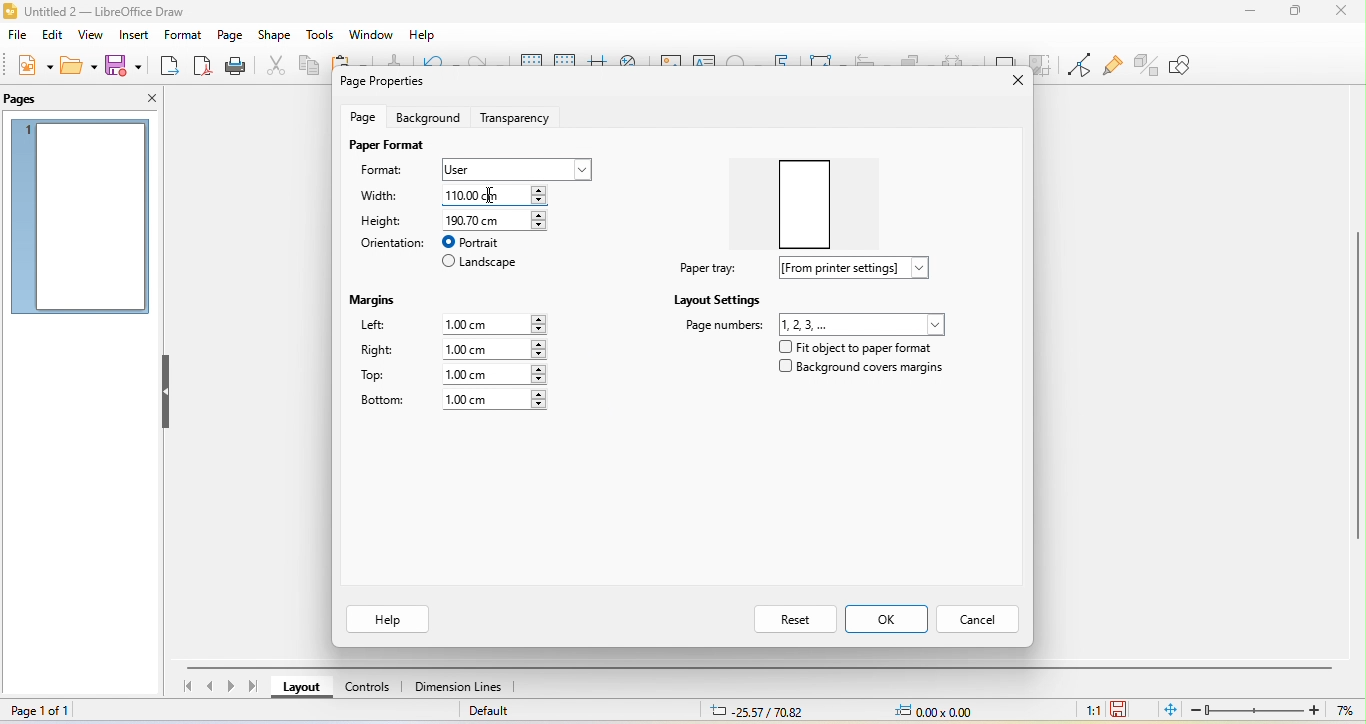  Describe the element at coordinates (378, 352) in the screenshot. I see `right` at that location.